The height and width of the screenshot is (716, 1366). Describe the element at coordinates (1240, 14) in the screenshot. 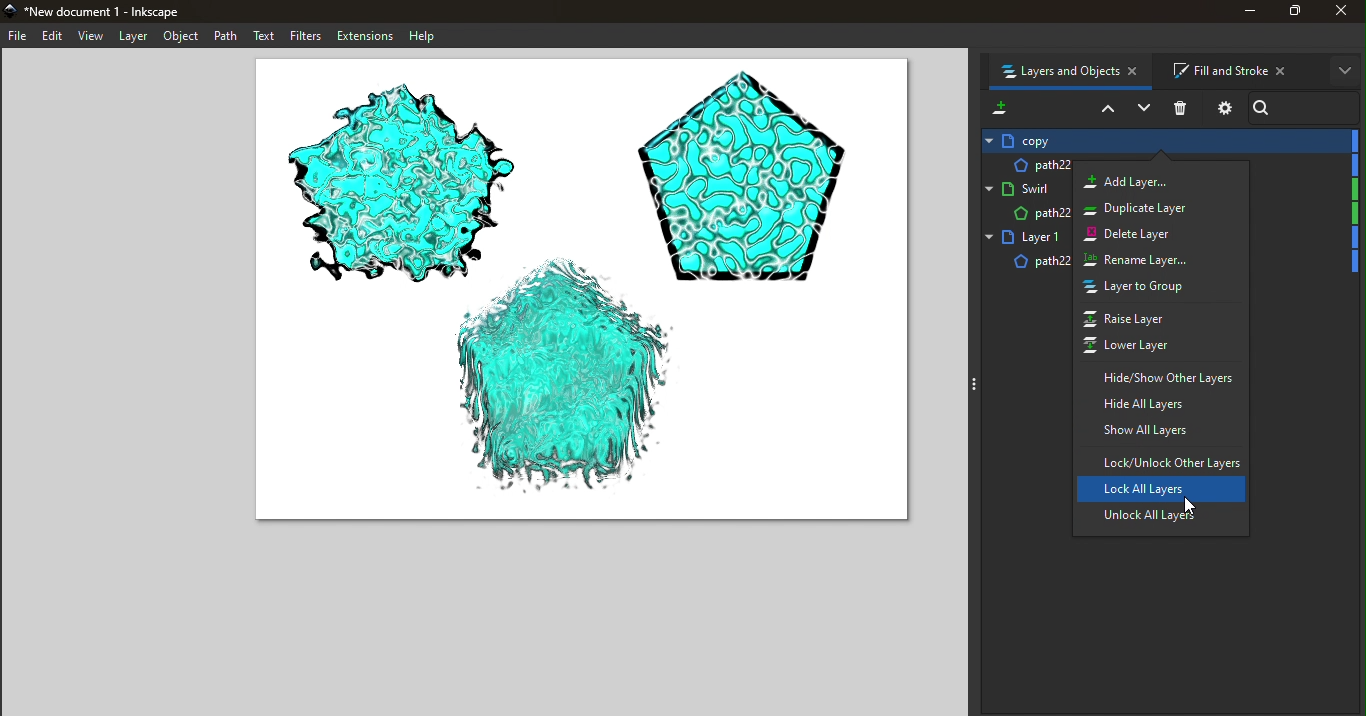

I see `Minimize` at that location.